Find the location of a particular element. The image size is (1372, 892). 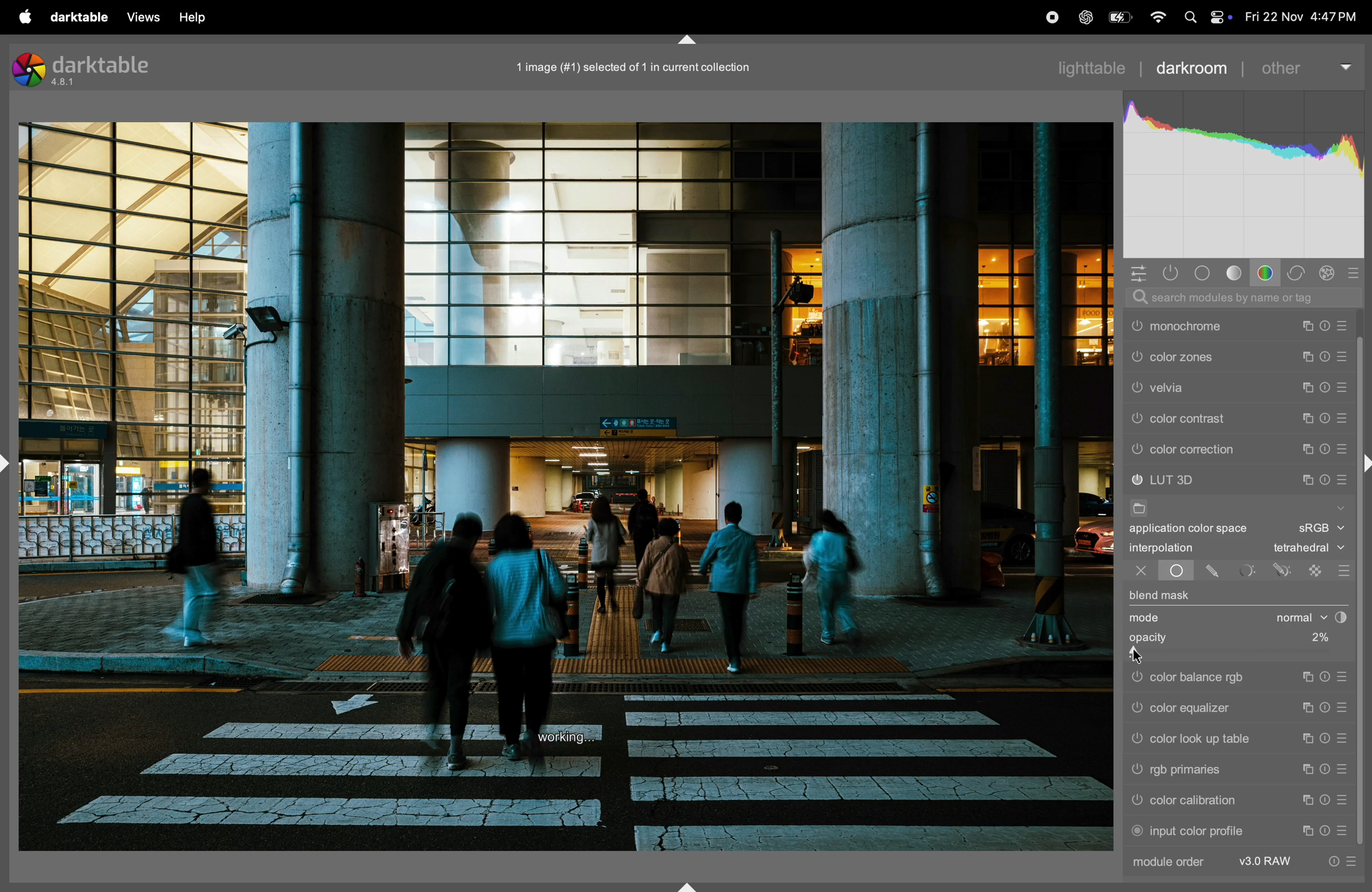

color is located at coordinates (1267, 273).